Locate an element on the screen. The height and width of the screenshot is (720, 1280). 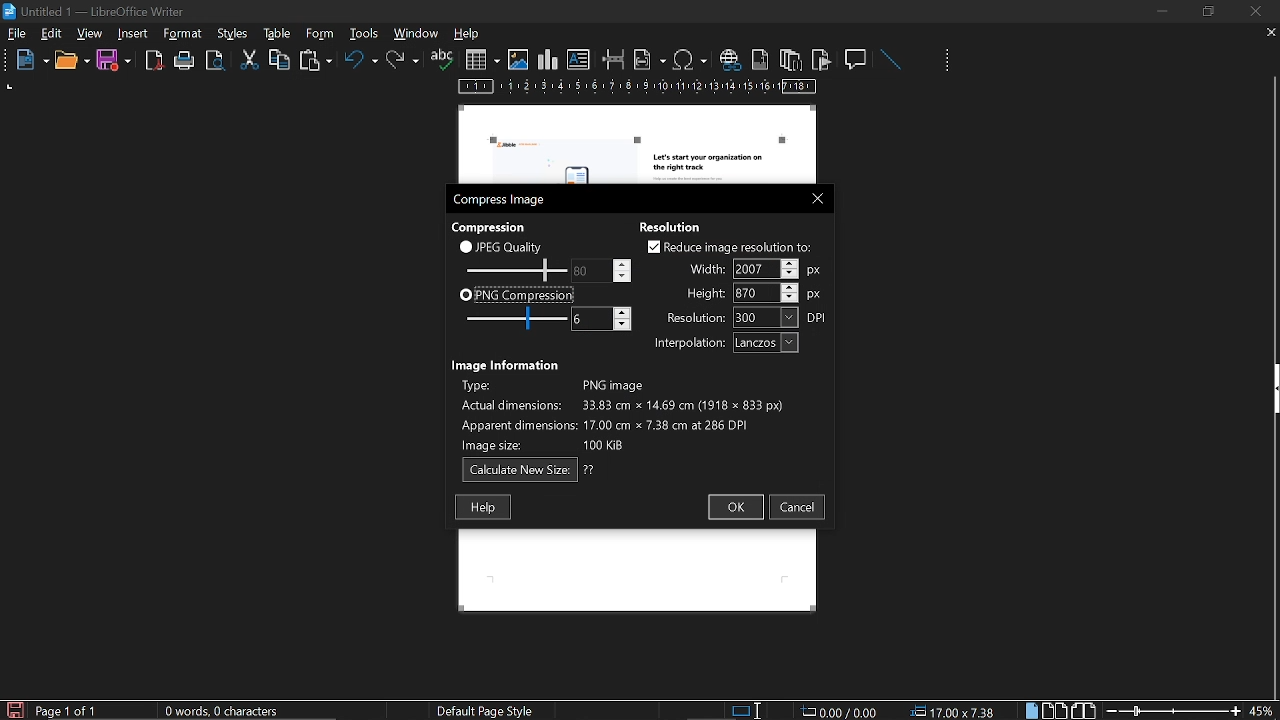
insert image is located at coordinates (518, 60).